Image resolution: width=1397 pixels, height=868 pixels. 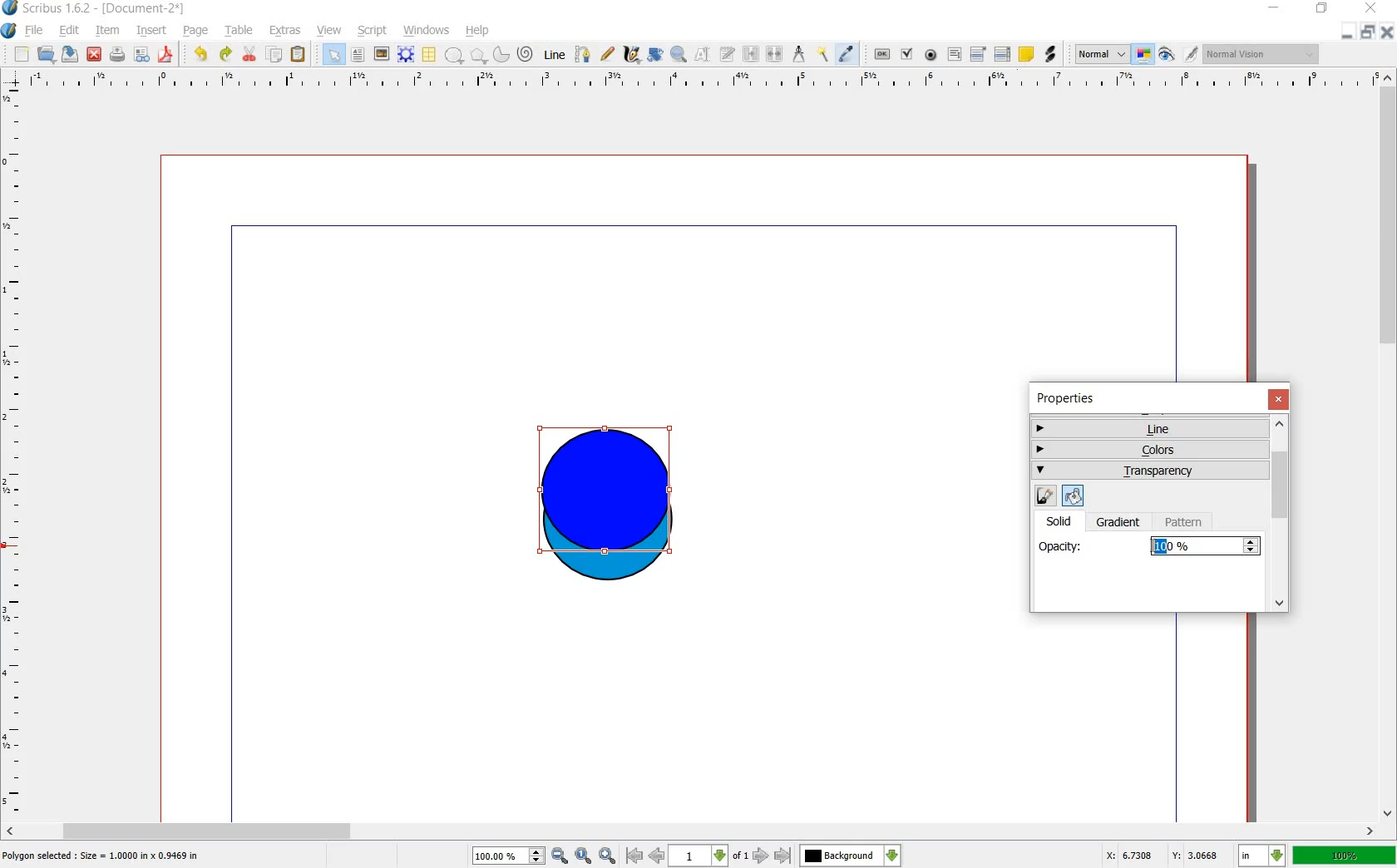 I want to click on 100%, so click(x=1345, y=857).